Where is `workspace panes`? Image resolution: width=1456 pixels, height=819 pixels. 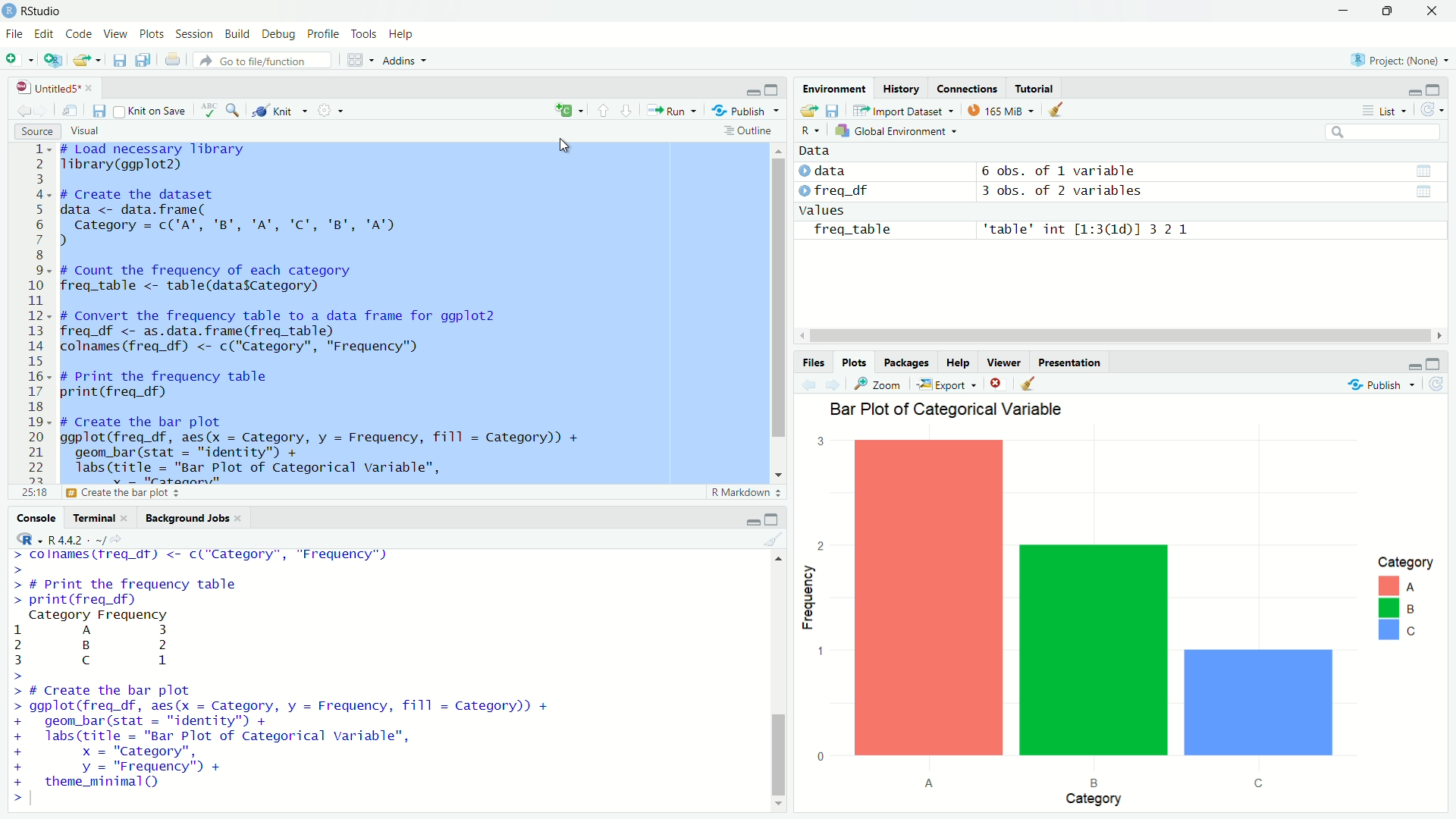
workspace panes is located at coordinates (358, 62).